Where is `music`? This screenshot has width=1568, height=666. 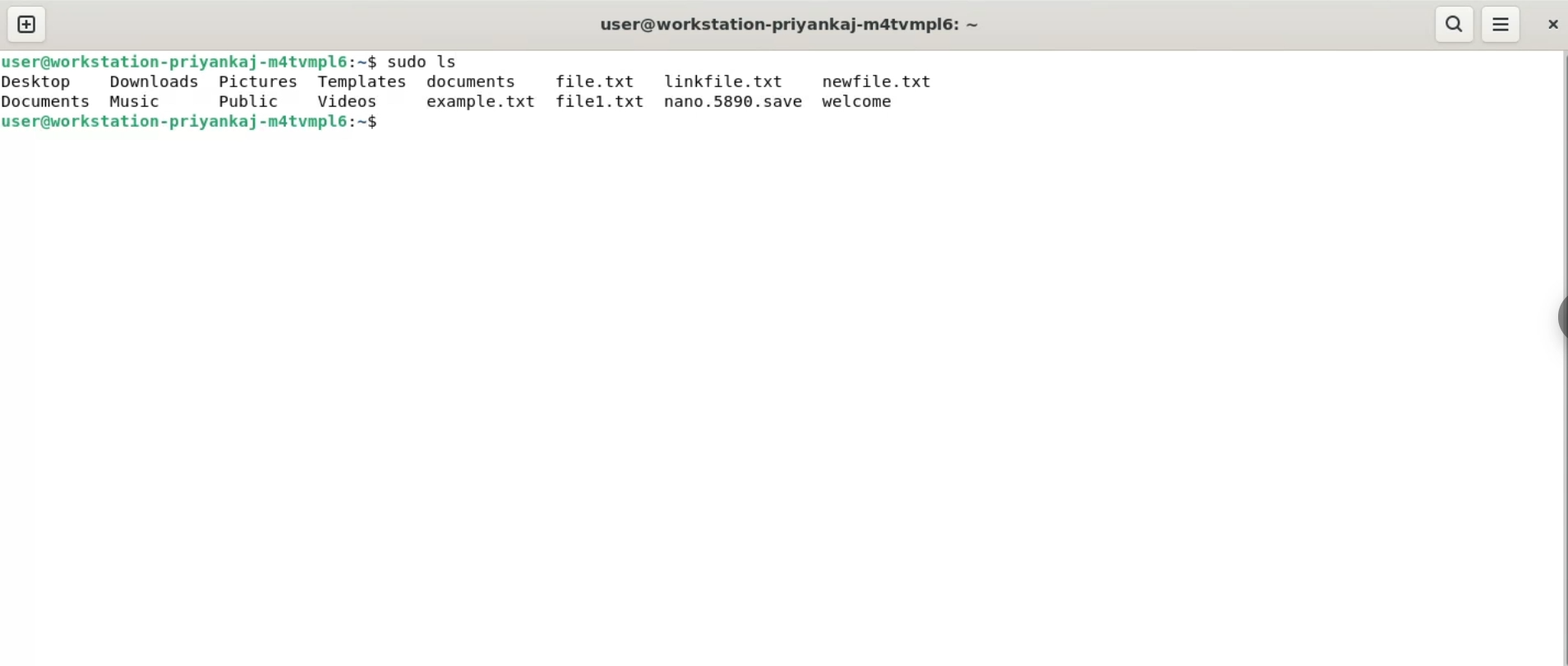
music is located at coordinates (140, 101).